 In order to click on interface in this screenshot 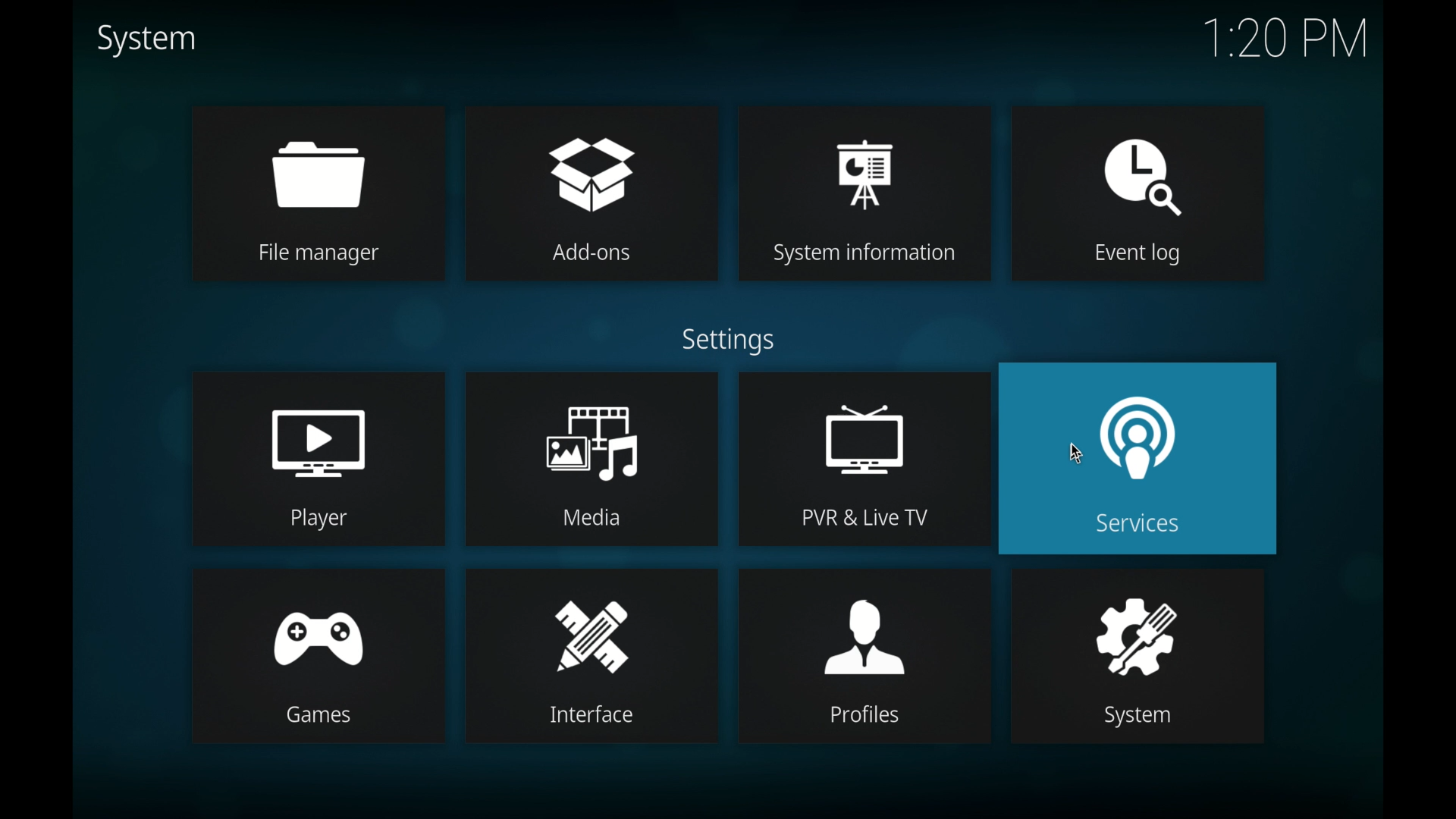, I will do `click(593, 657)`.